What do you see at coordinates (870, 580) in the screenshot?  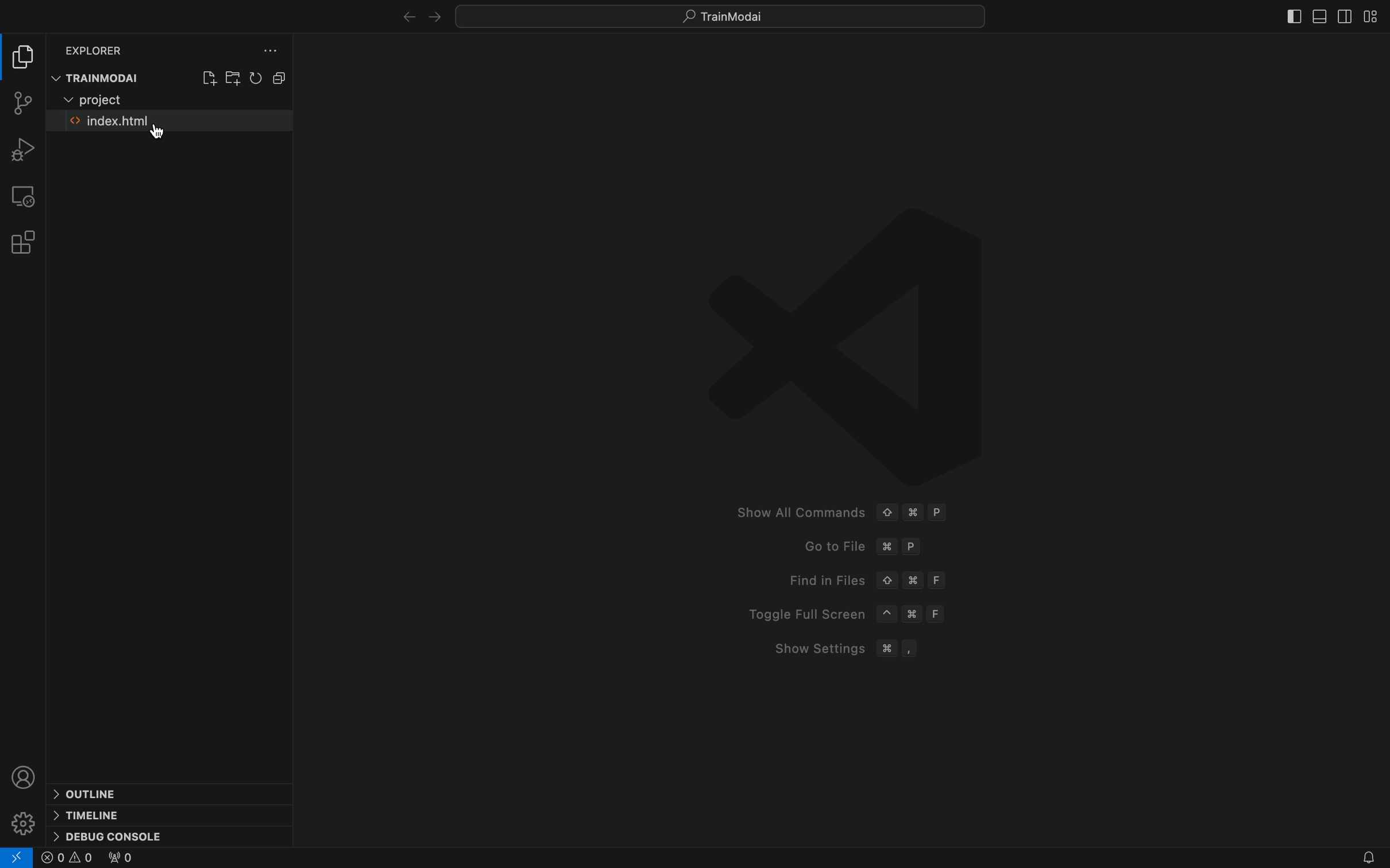 I see `Find` at bounding box center [870, 580].